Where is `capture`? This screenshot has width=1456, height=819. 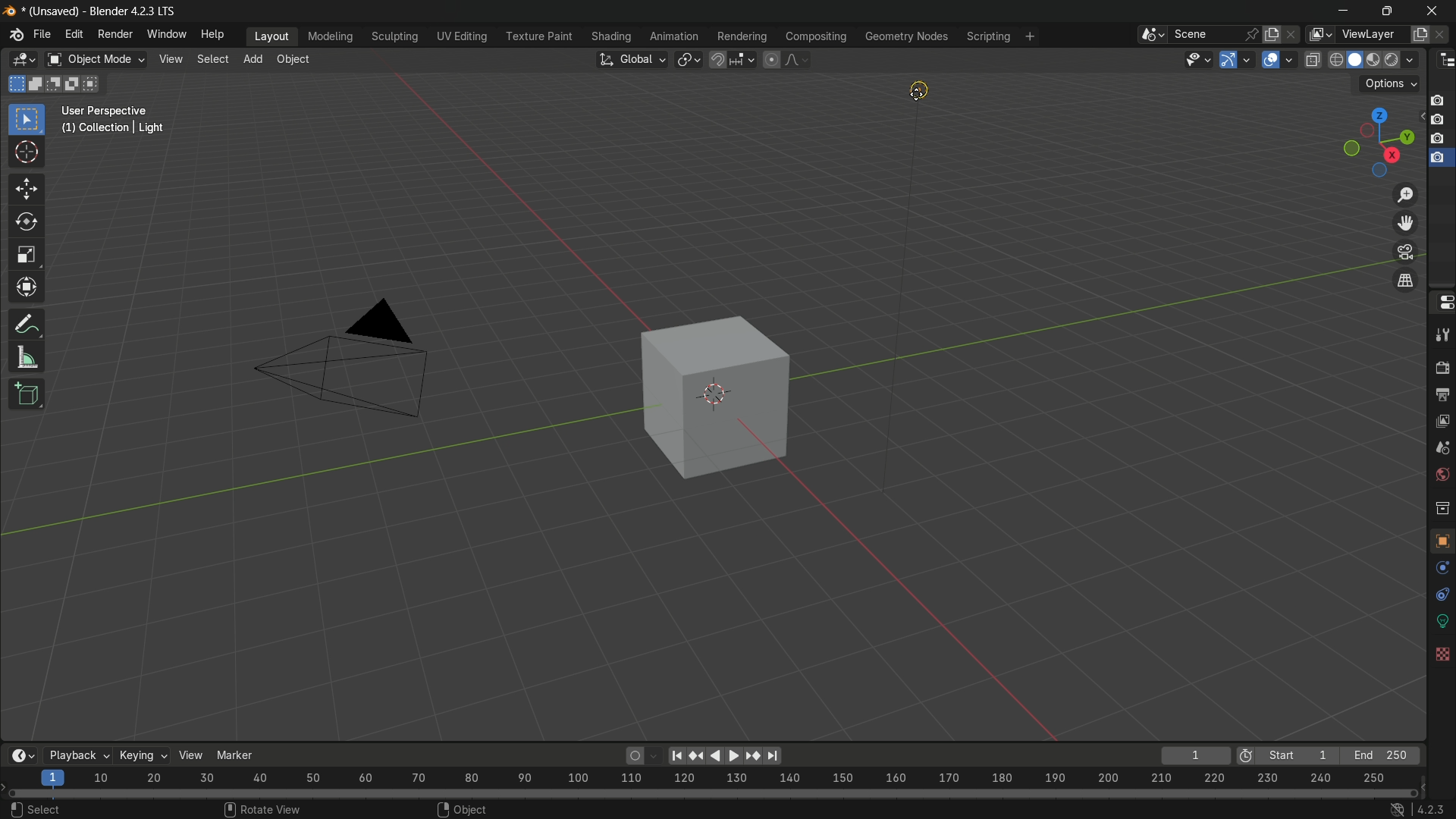
capture is located at coordinates (1439, 123).